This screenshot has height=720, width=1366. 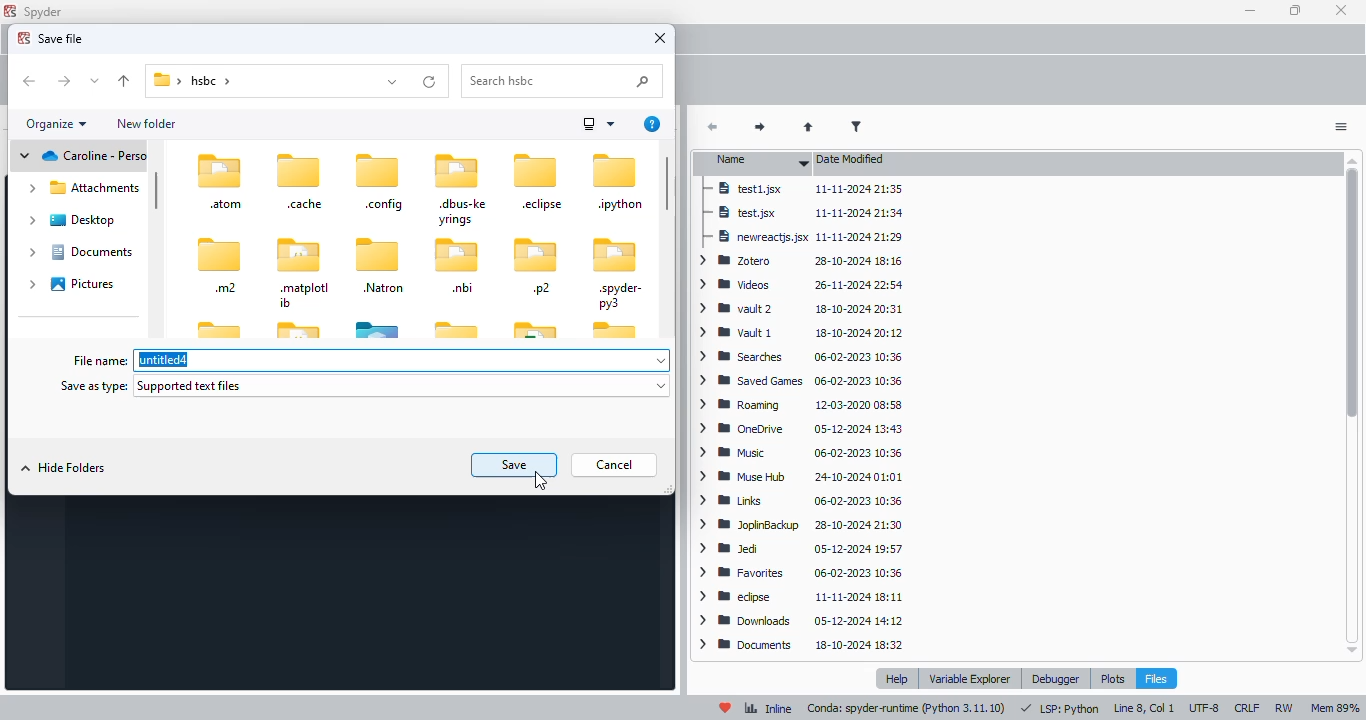 What do you see at coordinates (757, 162) in the screenshot?
I see `name` at bounding box center [757, 162].